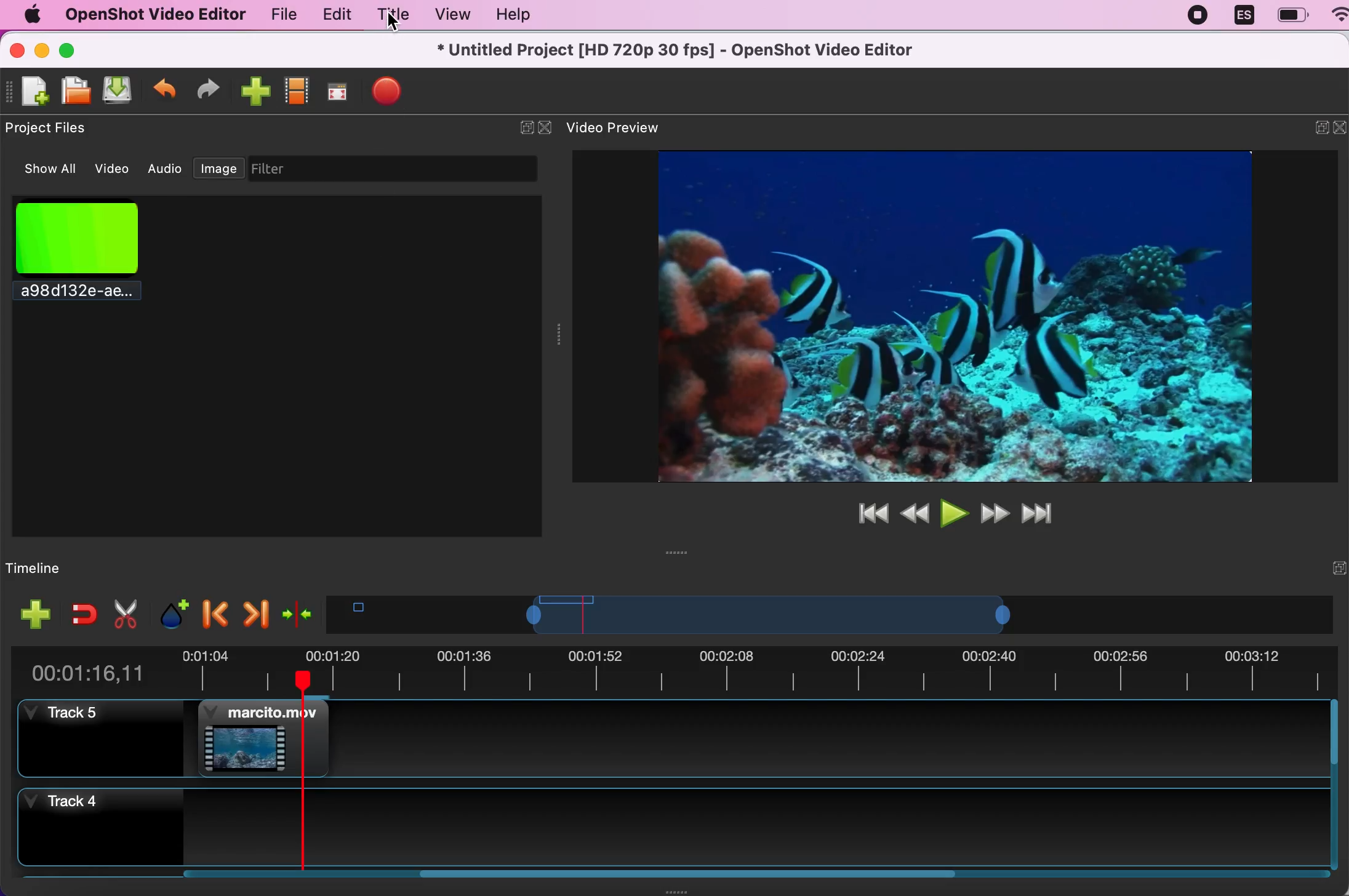 The image size is (1349, 896). What do you see at coordinates (1340, 130) in the screenshot?
I see `close` at bounding box center [1340, 130].